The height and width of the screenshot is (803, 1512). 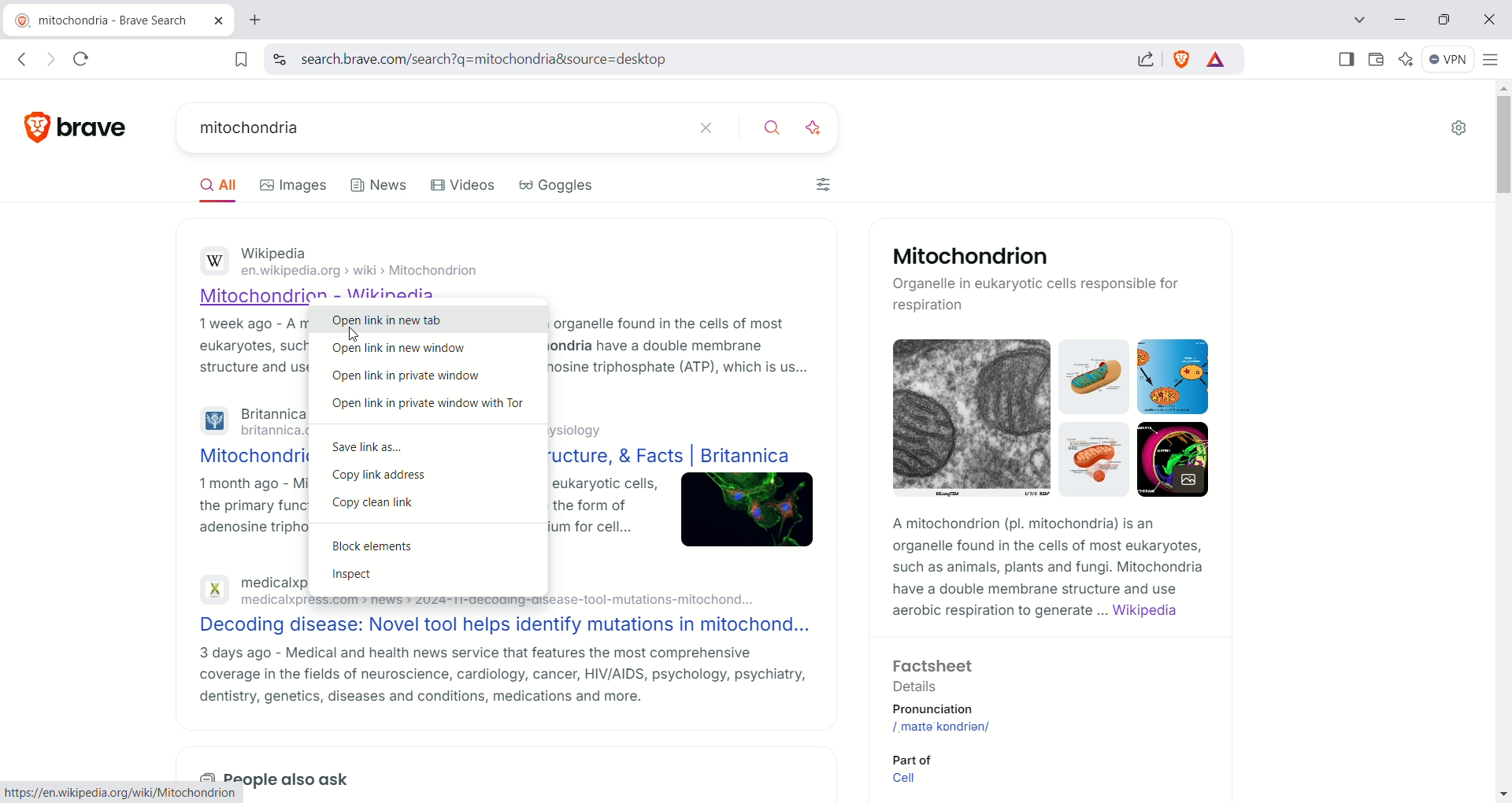 What do you see at coordinates (377, 502) in the screenshot?
I see `copy clean link` at bounding box center [377, 502].